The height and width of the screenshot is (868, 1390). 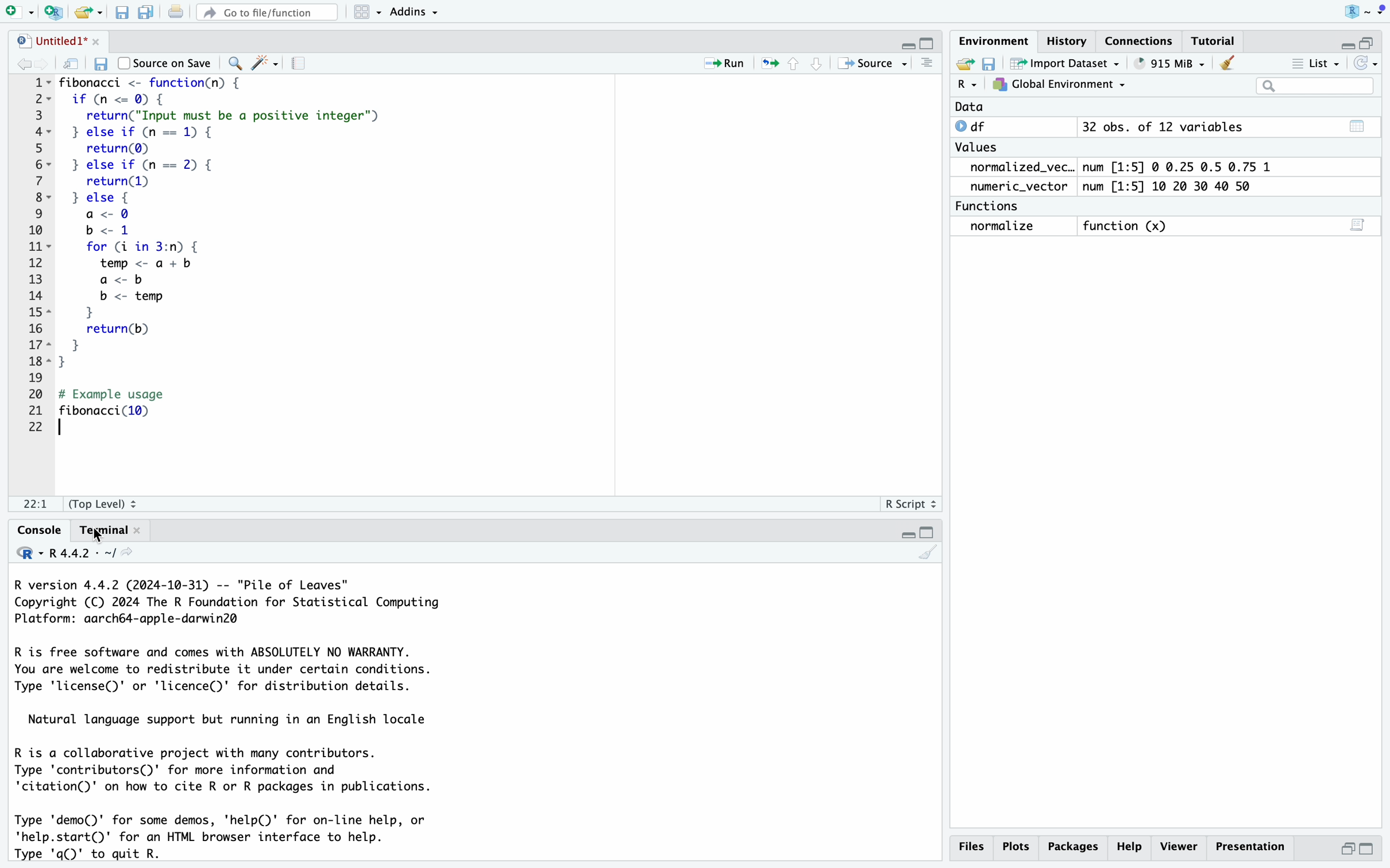 What do you see at coordinates (967, 85) in the screenshot?
I see `select language` at bounding box center [967, 85].